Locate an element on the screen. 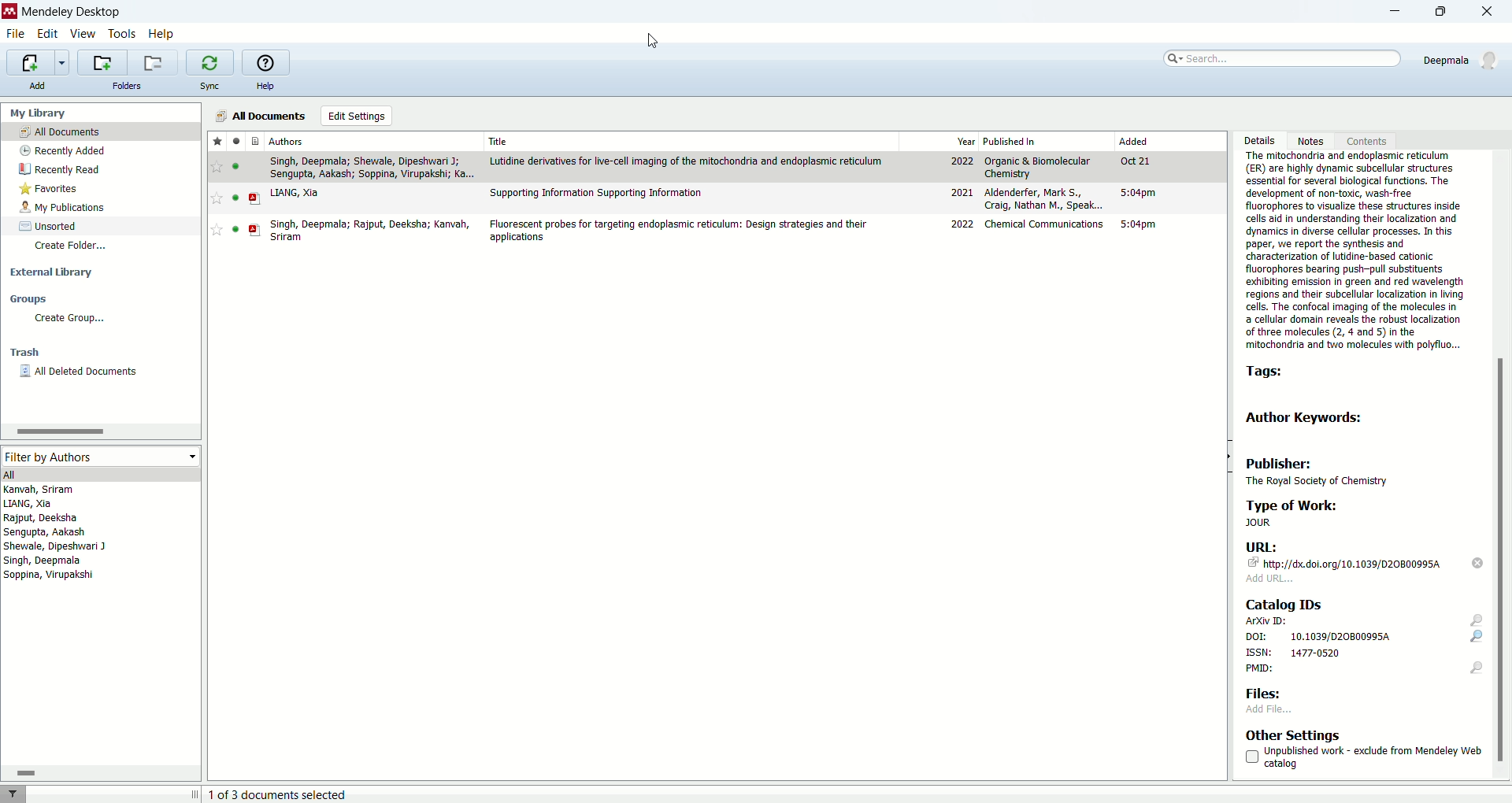 The image size is (1512, 803). close is located at coordinates (1492, 13).